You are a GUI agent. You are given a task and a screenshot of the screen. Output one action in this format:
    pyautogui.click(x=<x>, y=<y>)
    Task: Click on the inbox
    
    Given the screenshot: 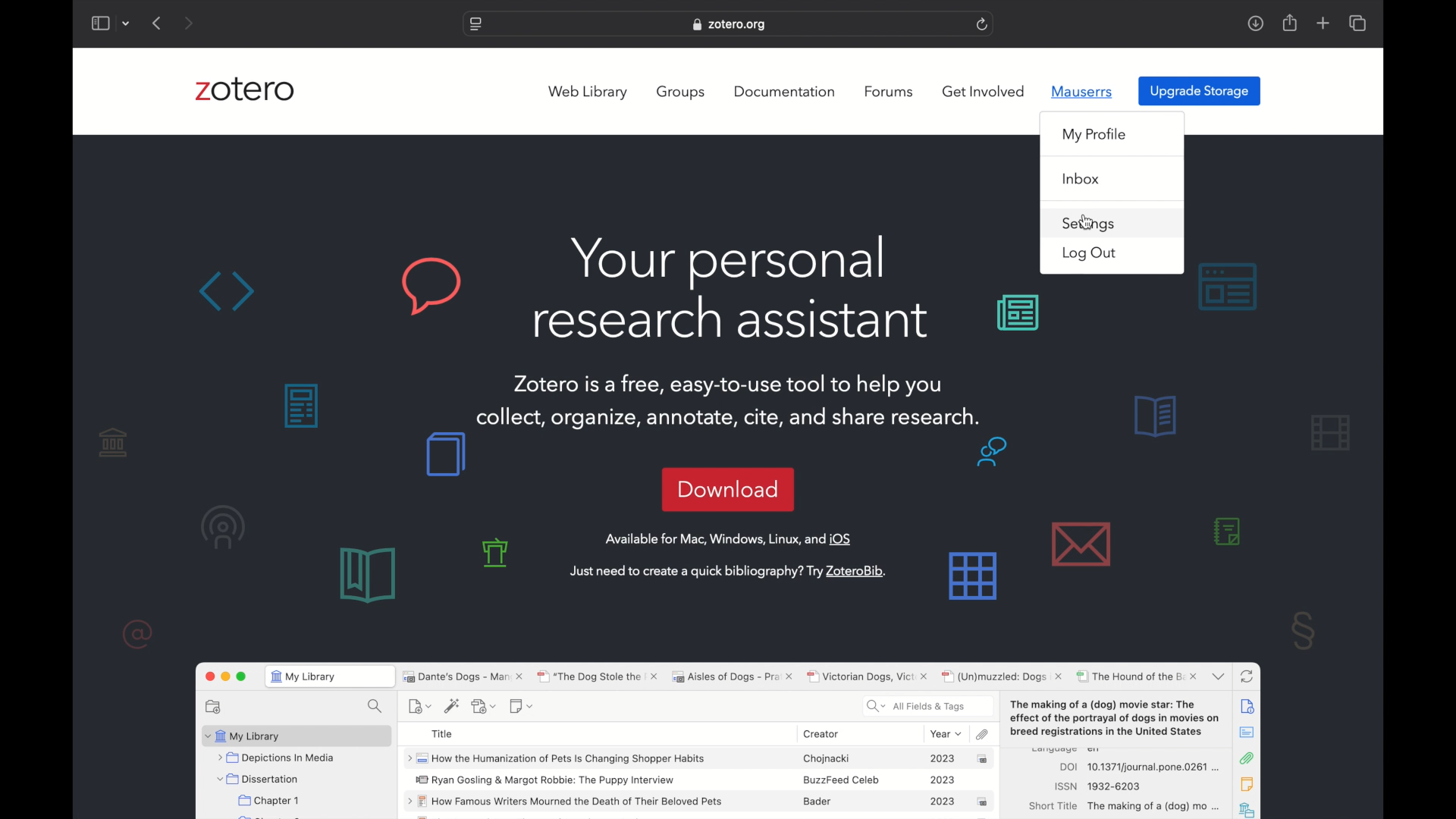 What is the action you would take?
    pyautogui.click(x=1082, y=179)
    